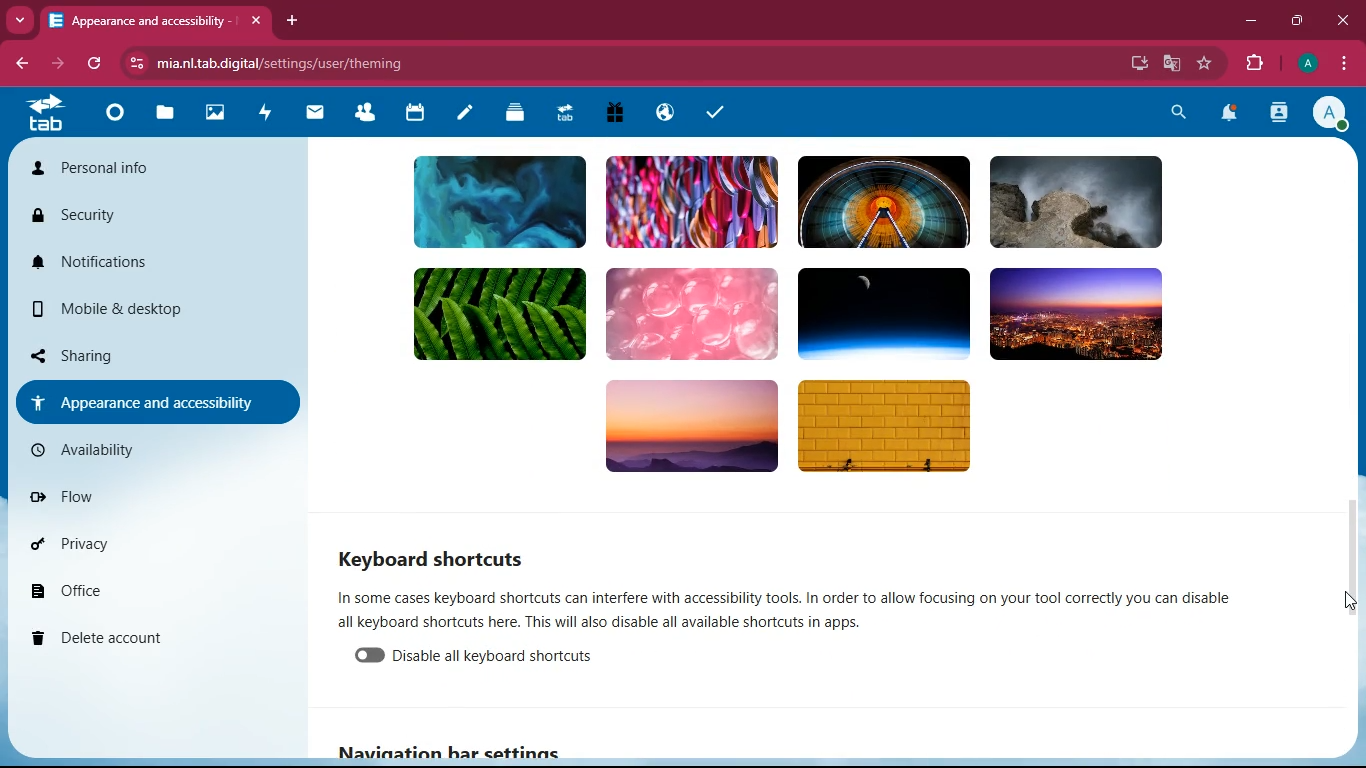 The height and width of the screenshot is (768, 1366). I want to click on flow, so click(167, 499).